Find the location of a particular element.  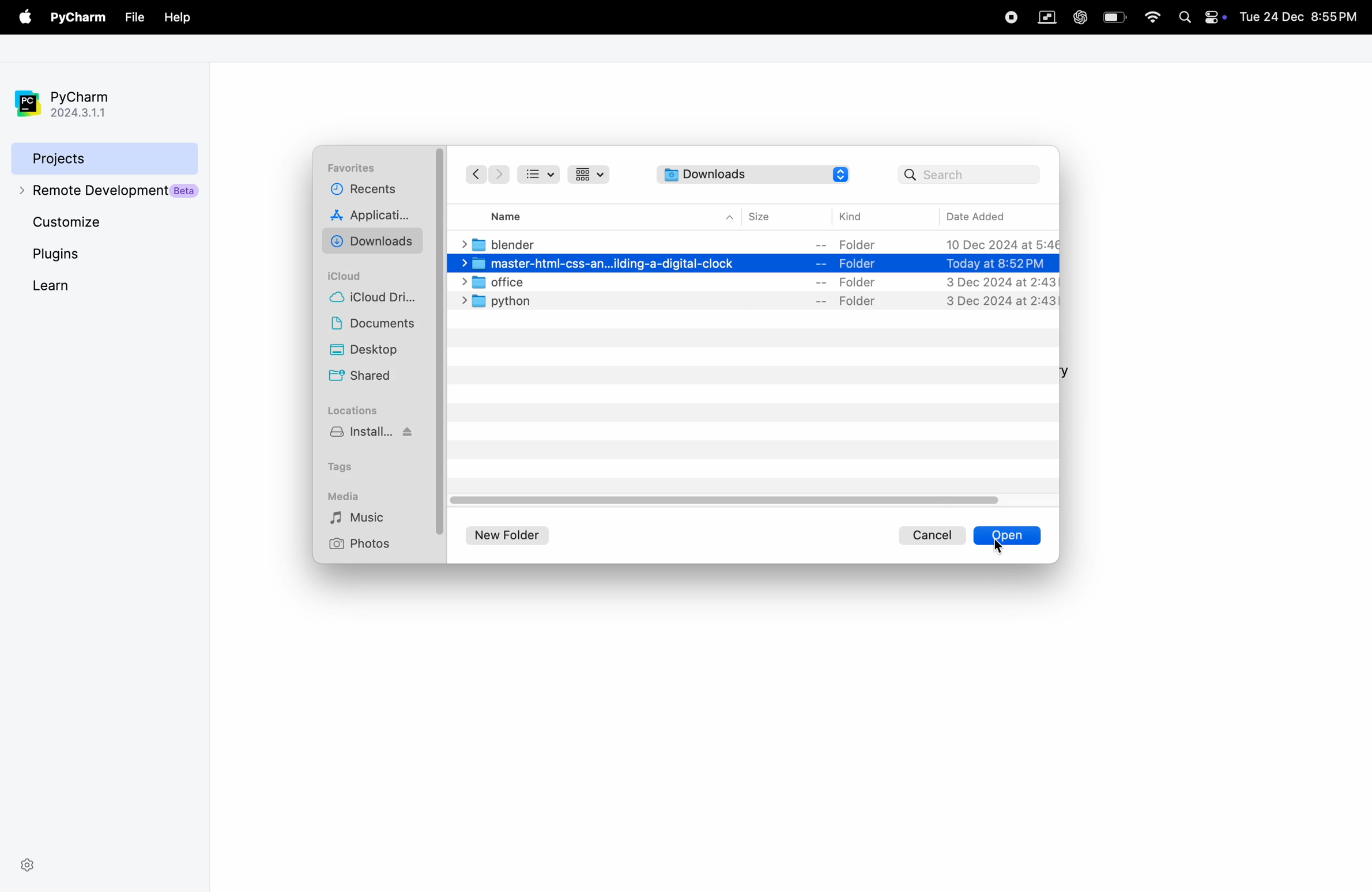

favourites is located at coordinates (355, 168).